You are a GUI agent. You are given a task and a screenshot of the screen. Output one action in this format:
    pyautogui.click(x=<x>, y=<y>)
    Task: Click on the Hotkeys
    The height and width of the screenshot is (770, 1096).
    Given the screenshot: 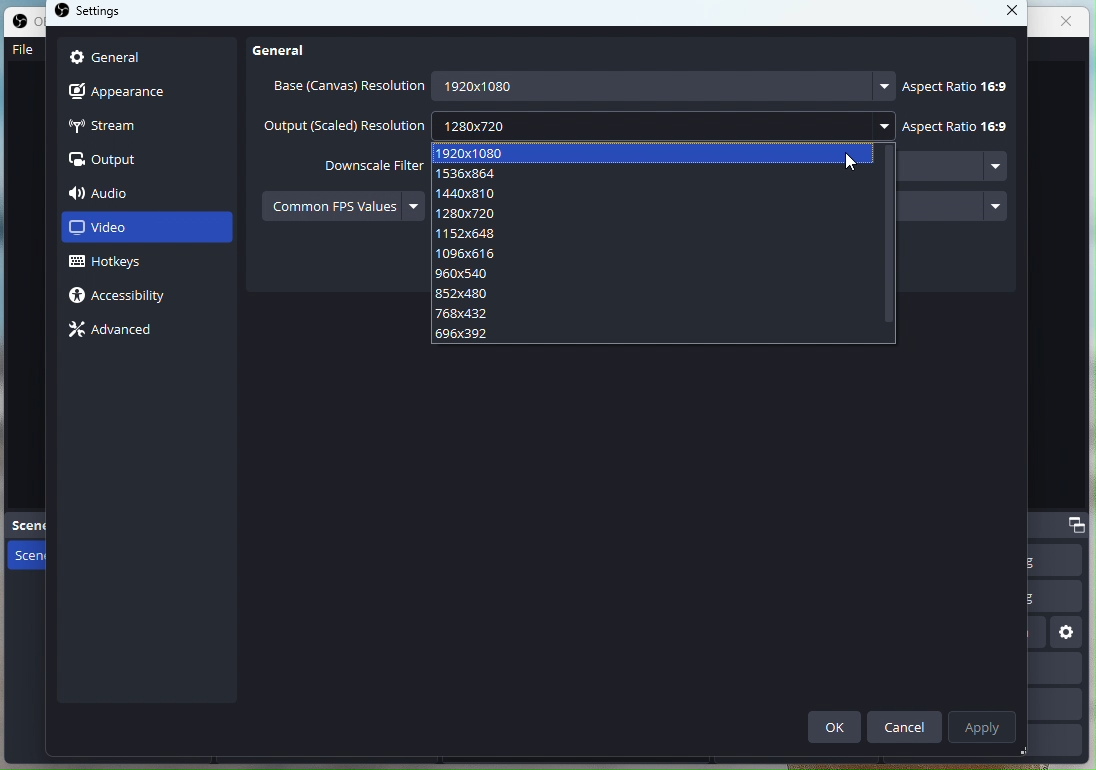 What is the action you would take?
    pyautogui.click(x=124, y=264)
    